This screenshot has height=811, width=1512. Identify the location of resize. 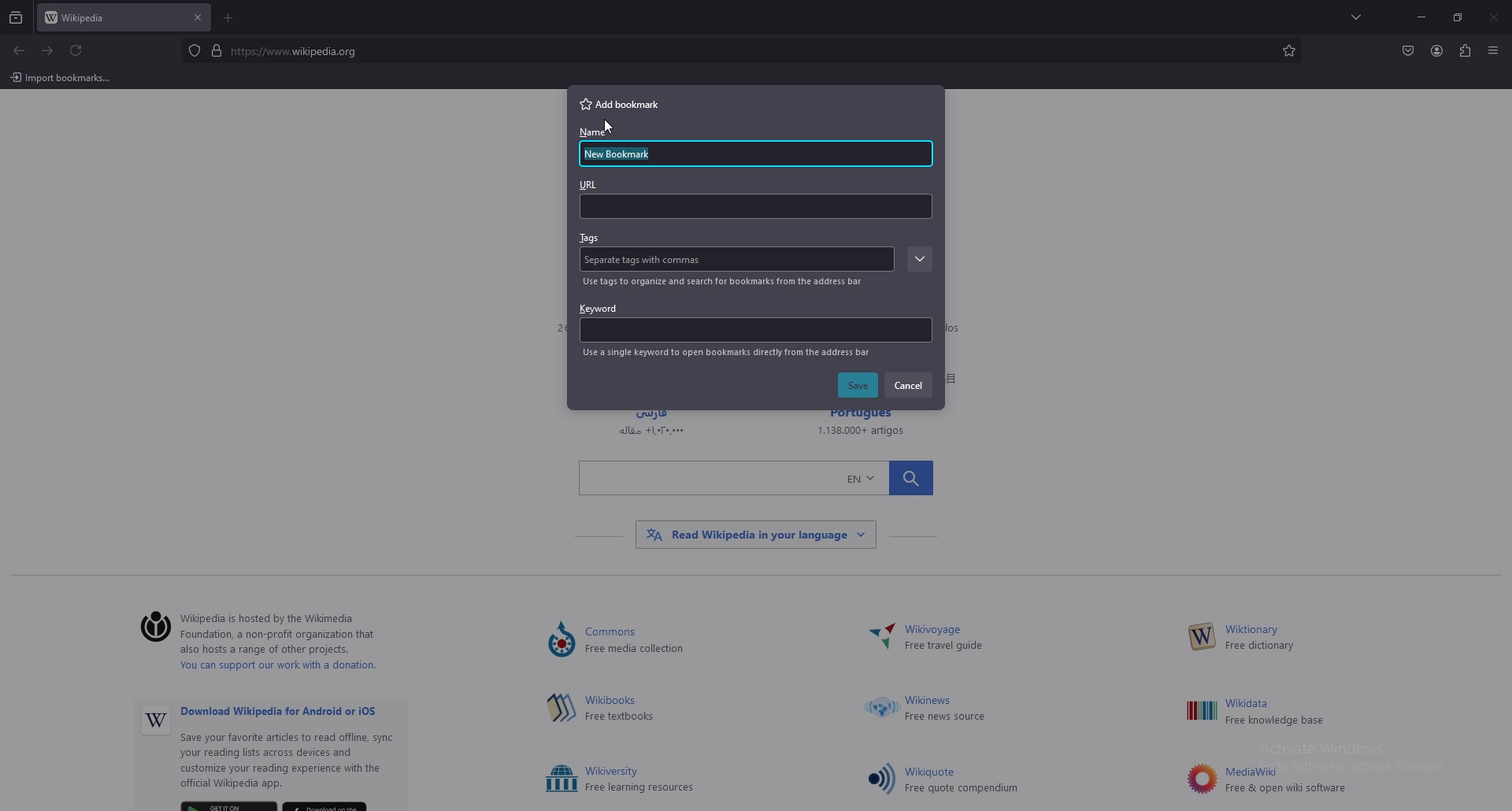
(1458, 18).